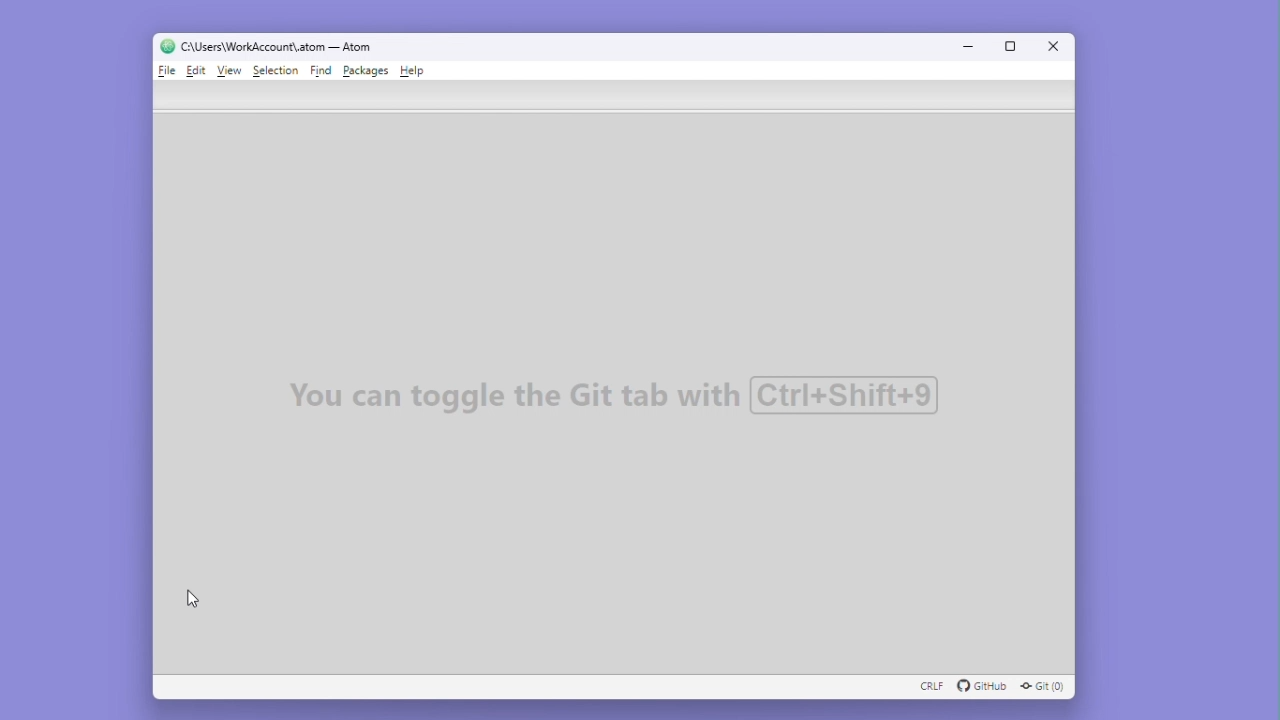  What do you see at coordinates (318, 44) in the screenshot?
I see `C :\users\workaccount\atom-atom` at bounding box center [318, 44].